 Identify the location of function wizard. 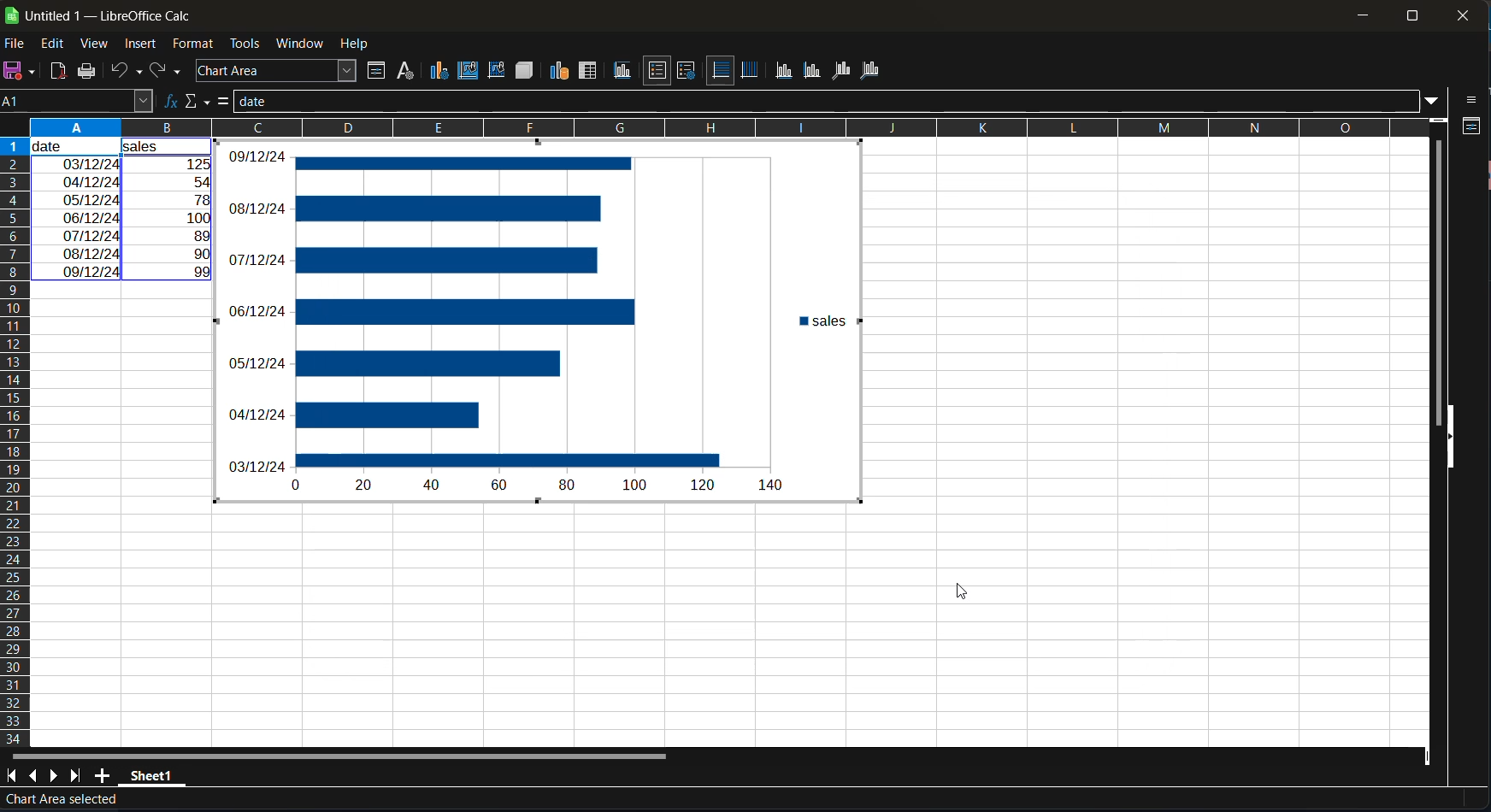
(167, 102).